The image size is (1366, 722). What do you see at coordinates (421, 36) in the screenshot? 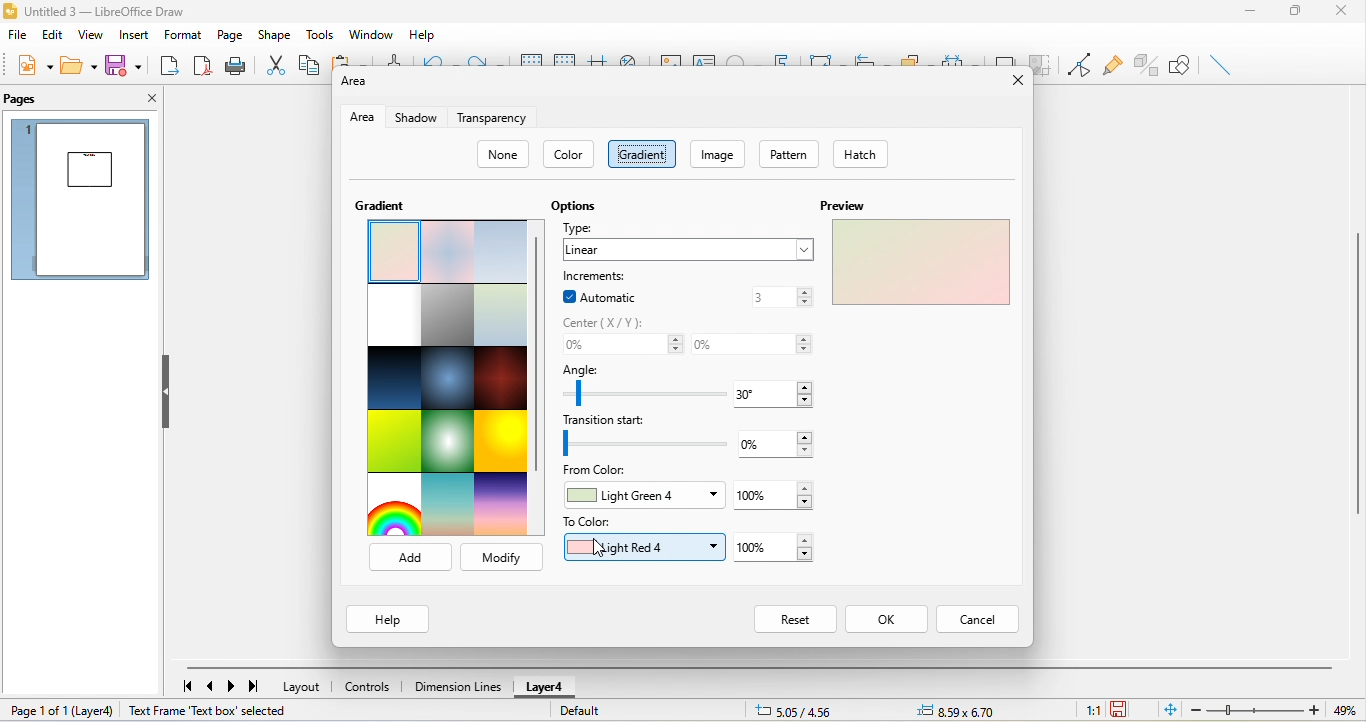
I see `help` at bounding box center [421, 36].